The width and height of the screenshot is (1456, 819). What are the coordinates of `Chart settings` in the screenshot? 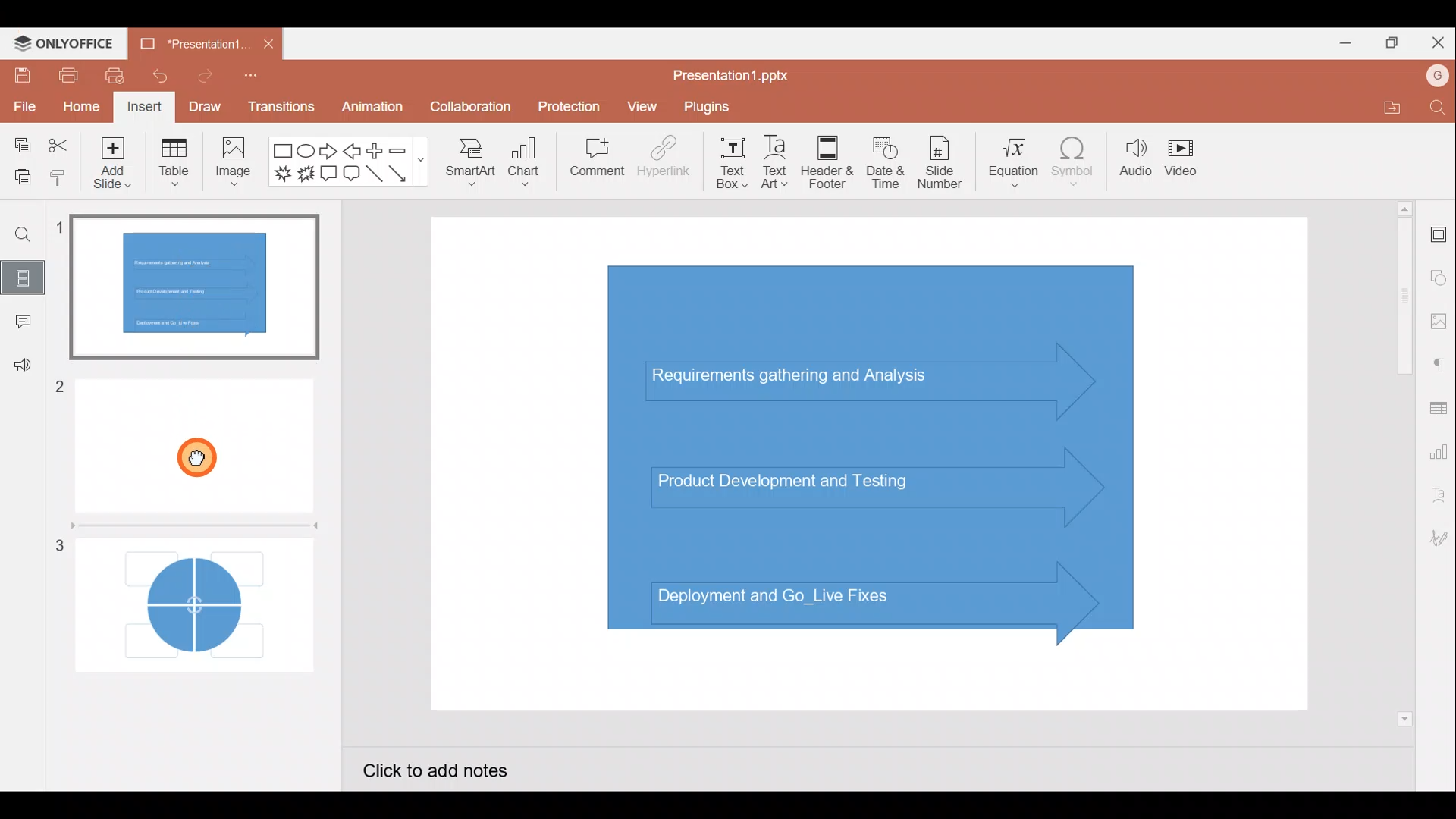 It's located at (1441, 454).